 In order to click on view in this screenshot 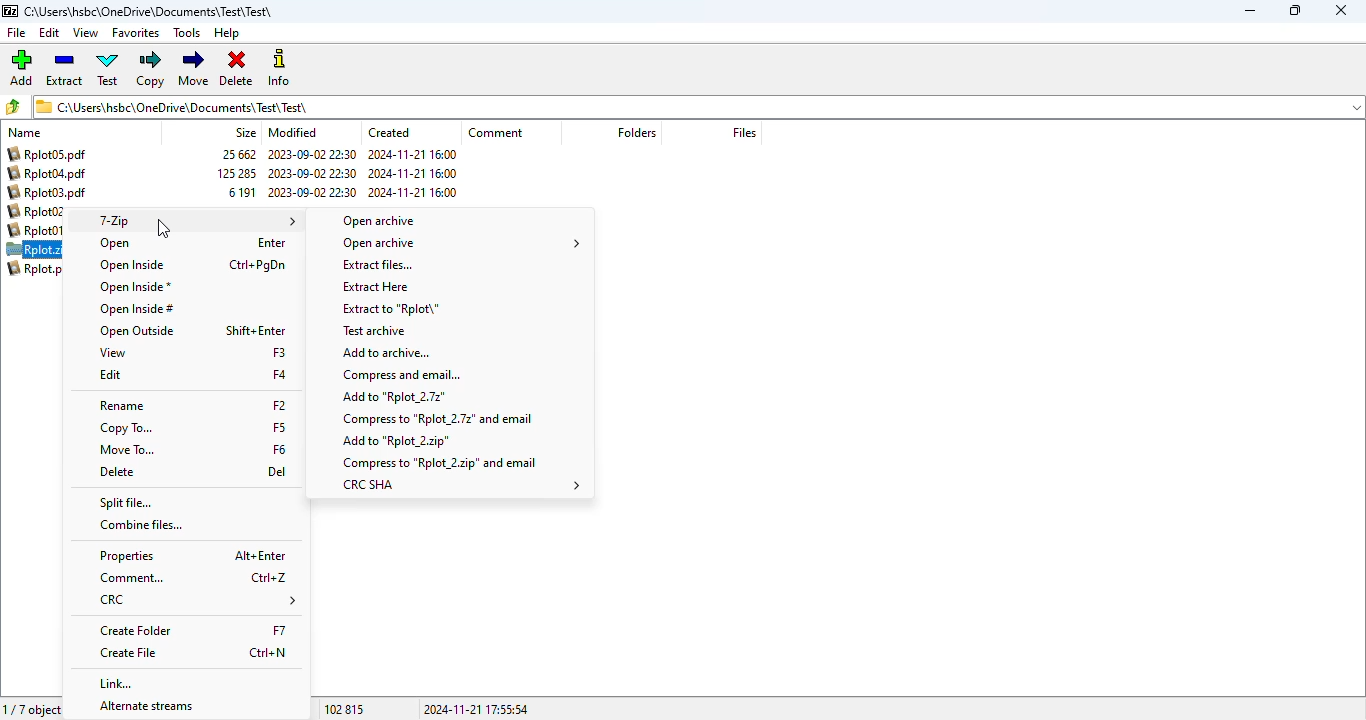, I will do `click(111, 353)`.